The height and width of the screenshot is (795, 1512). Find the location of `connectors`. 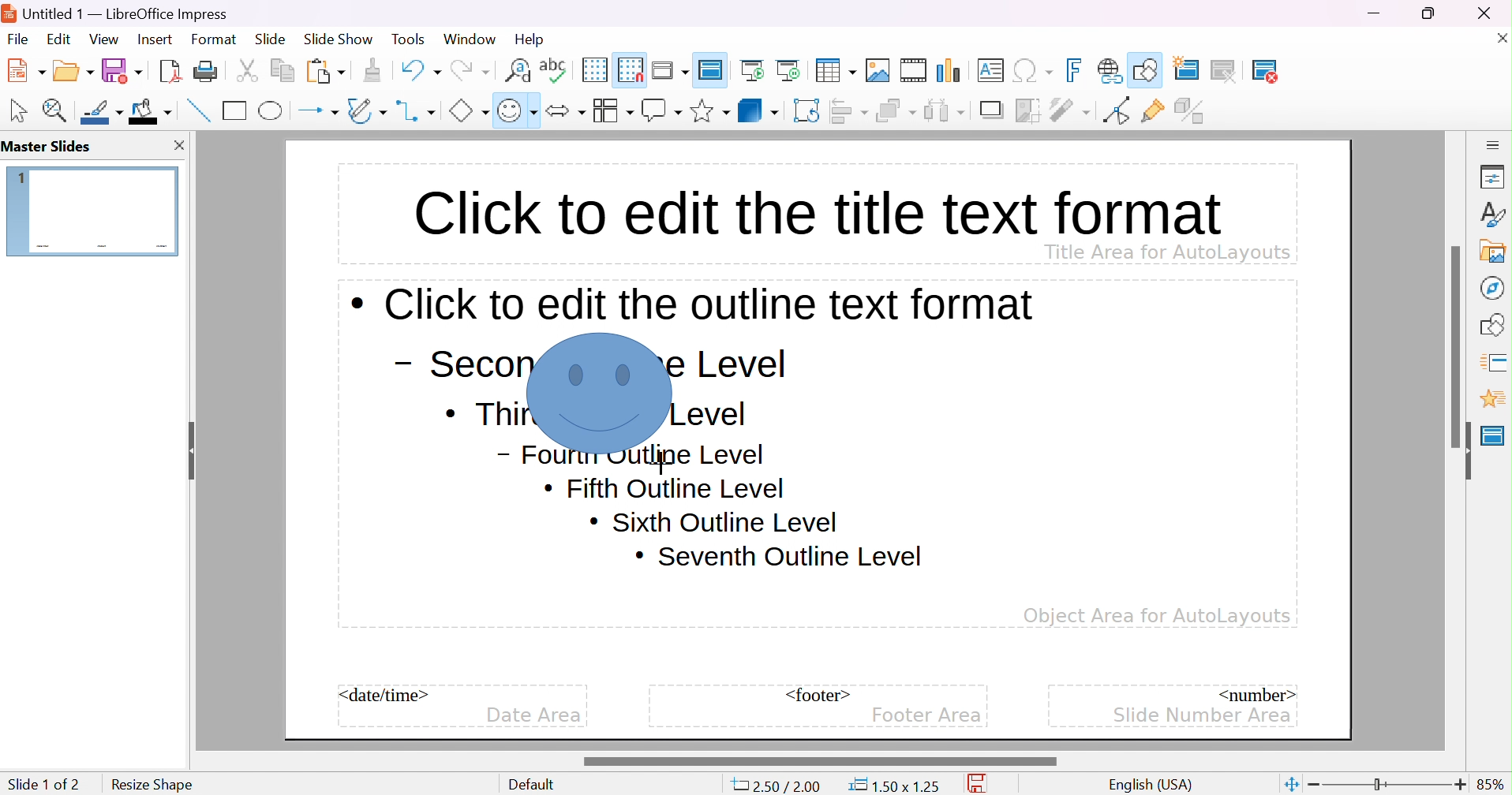

connectors is located at coordinates (417, 110).